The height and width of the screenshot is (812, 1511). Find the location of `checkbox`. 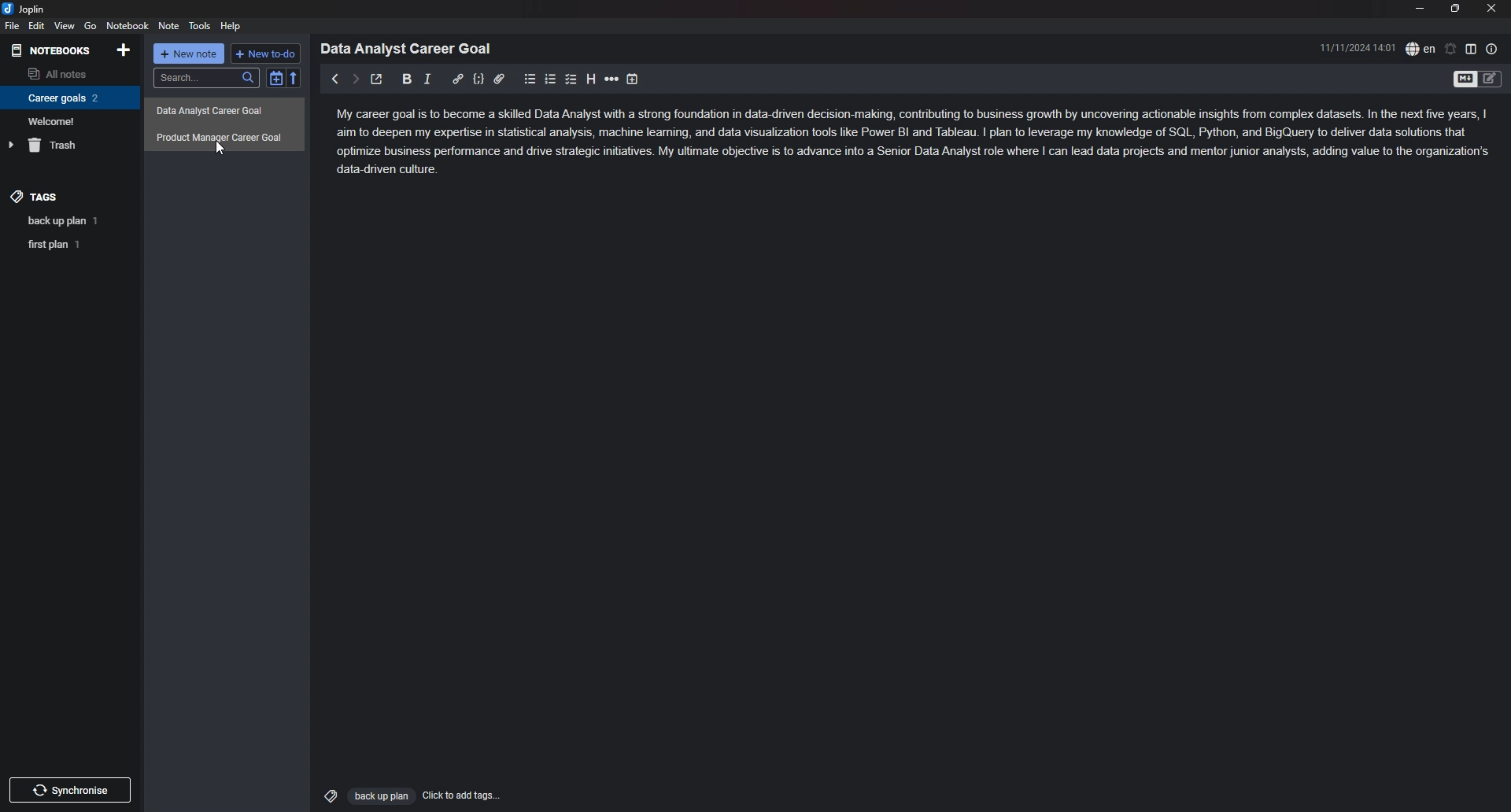

checkbox is located at coordinates (571, 79).